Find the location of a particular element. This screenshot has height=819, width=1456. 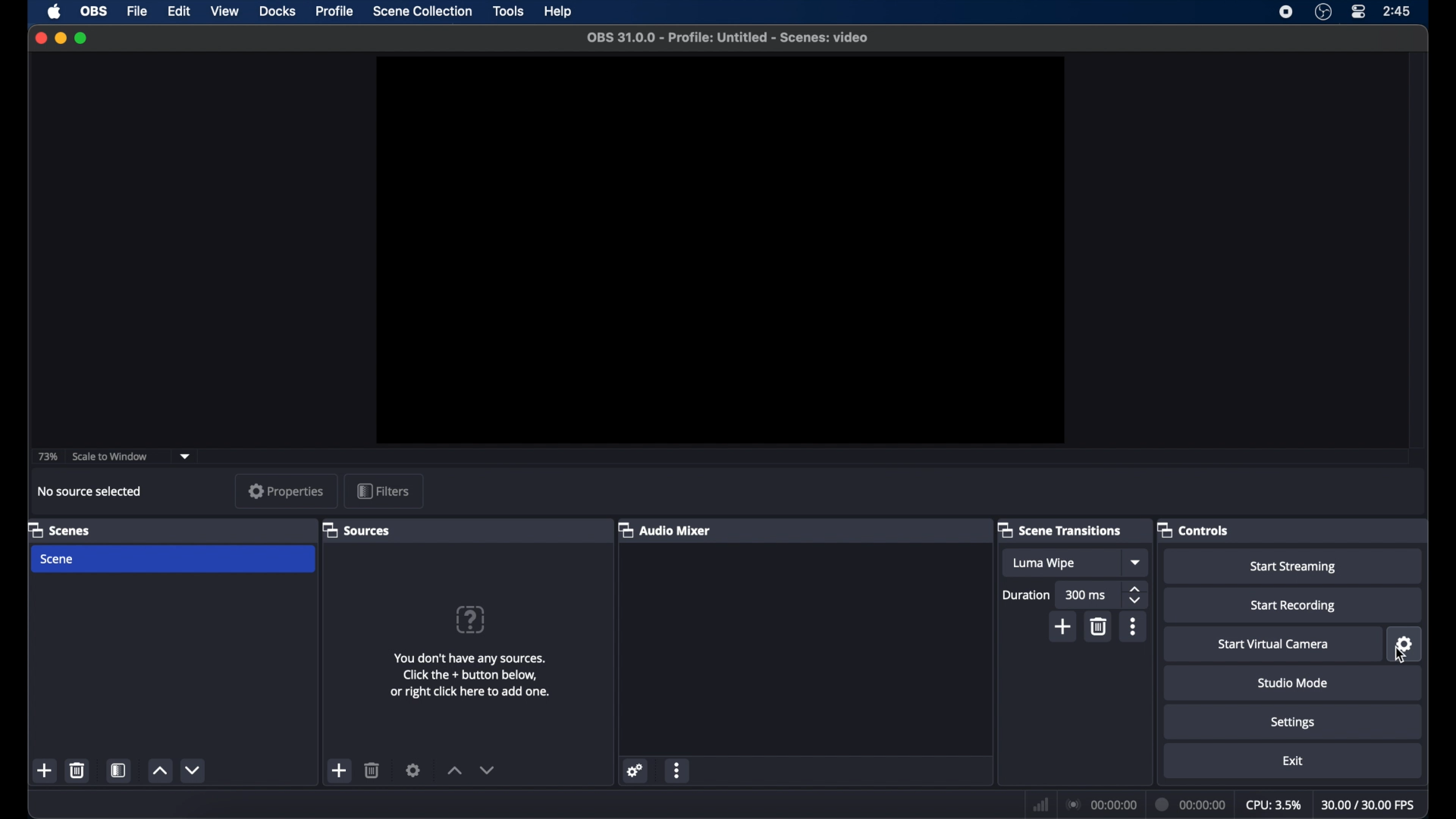

fps is located at coordinates (1369, 805).